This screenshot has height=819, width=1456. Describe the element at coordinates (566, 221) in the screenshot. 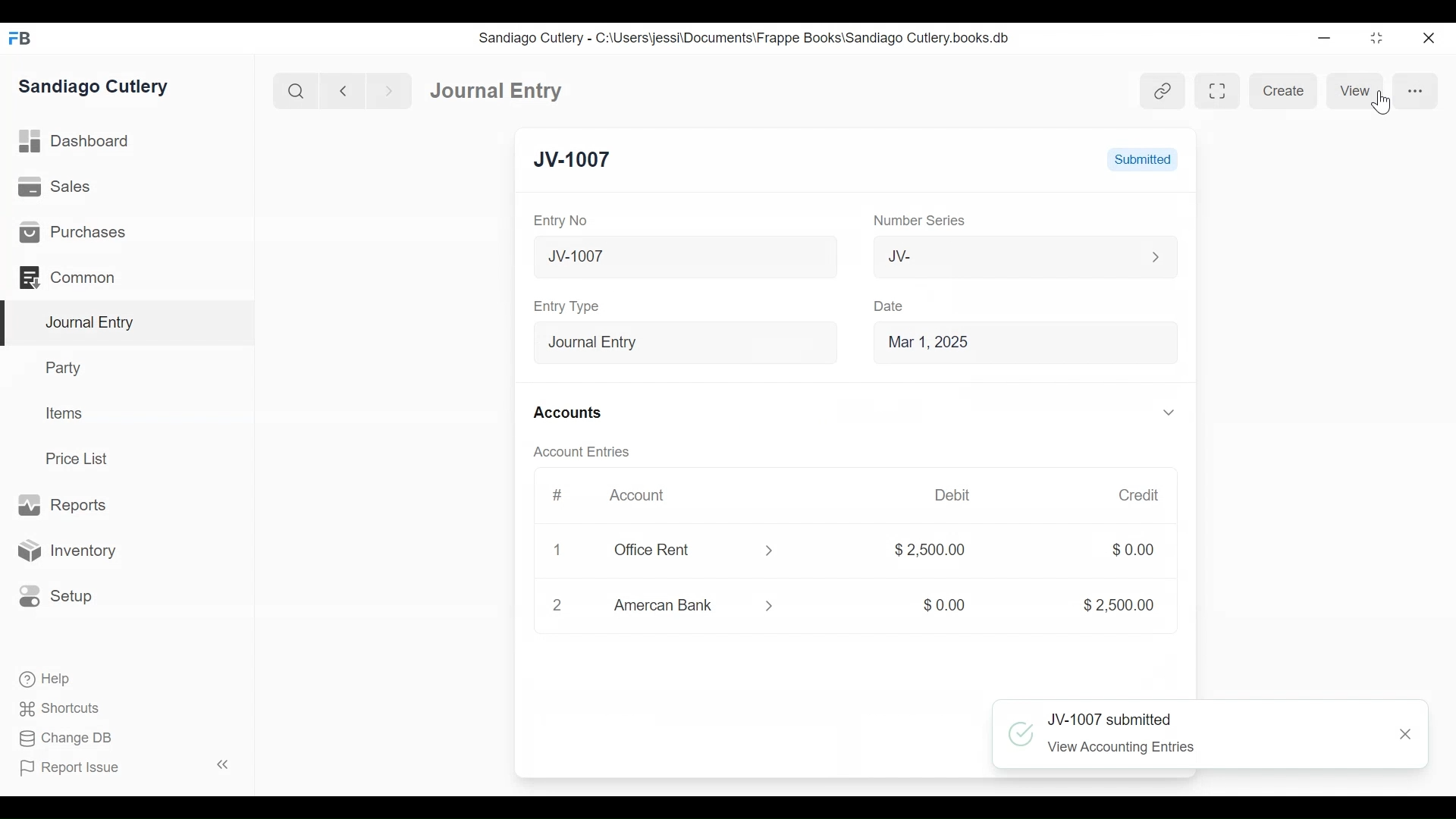

I see `Entry No` at that location.